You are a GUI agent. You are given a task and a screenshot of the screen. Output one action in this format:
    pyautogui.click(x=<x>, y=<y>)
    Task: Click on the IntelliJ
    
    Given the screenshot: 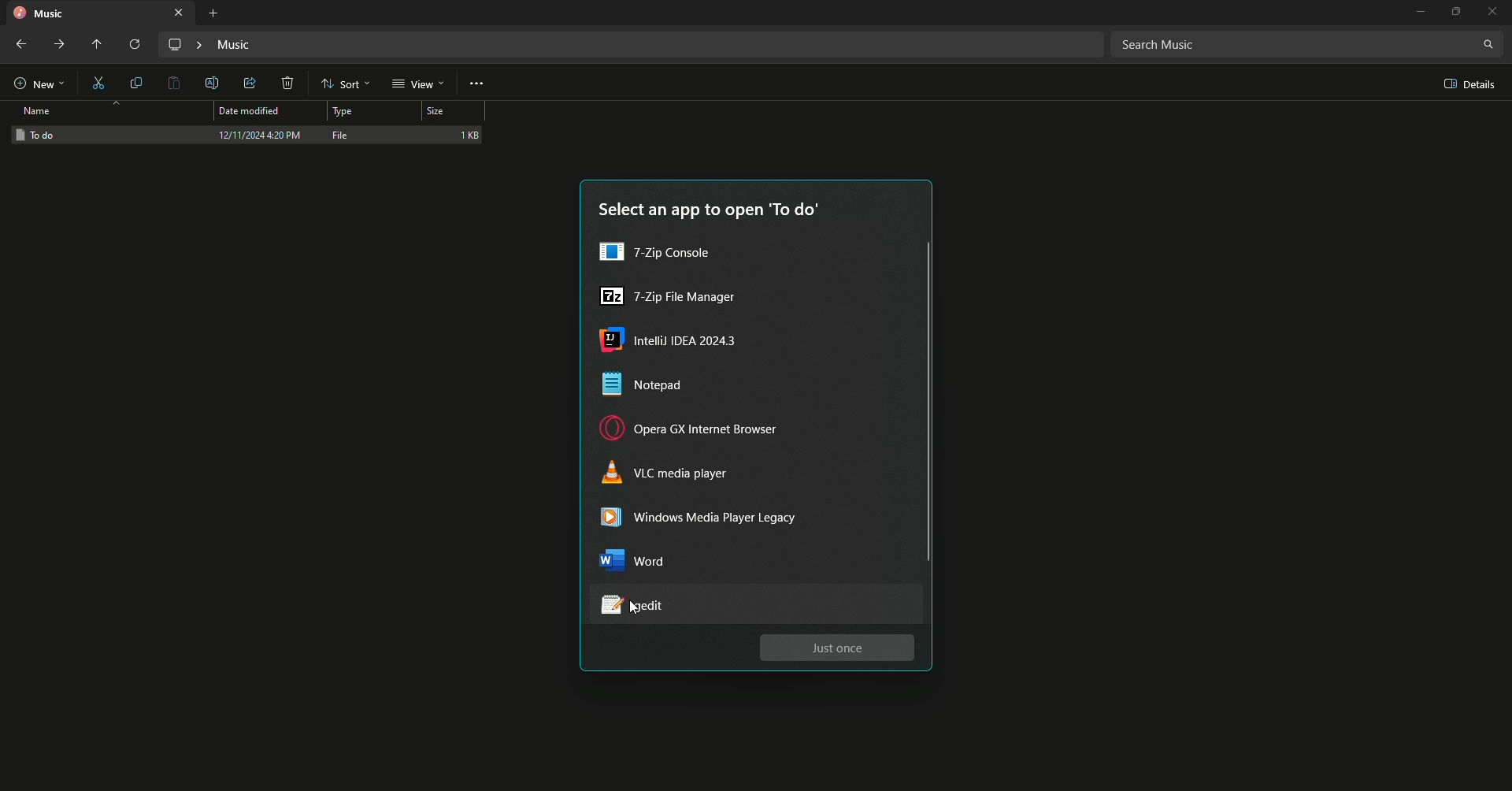 What is the action you would take?
    pyautogui.click(x=676, y=343)
    